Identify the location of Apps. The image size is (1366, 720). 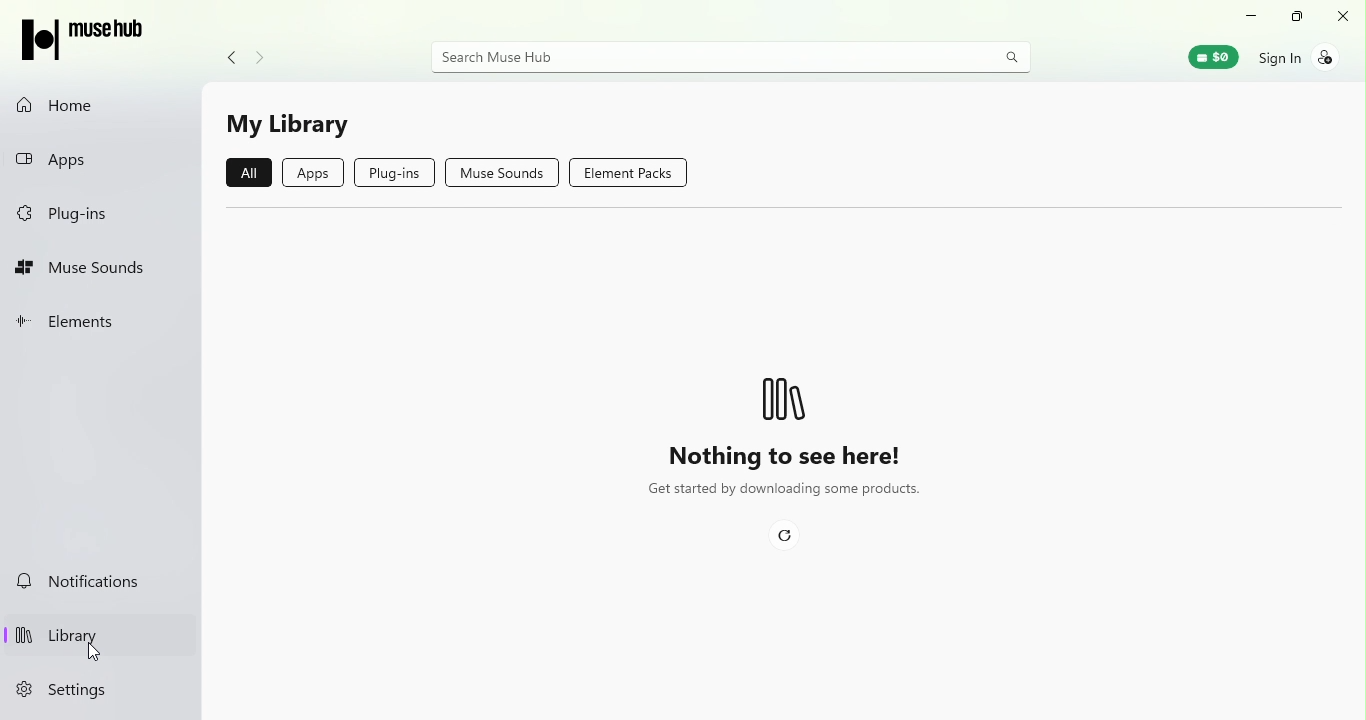
(79, 158).